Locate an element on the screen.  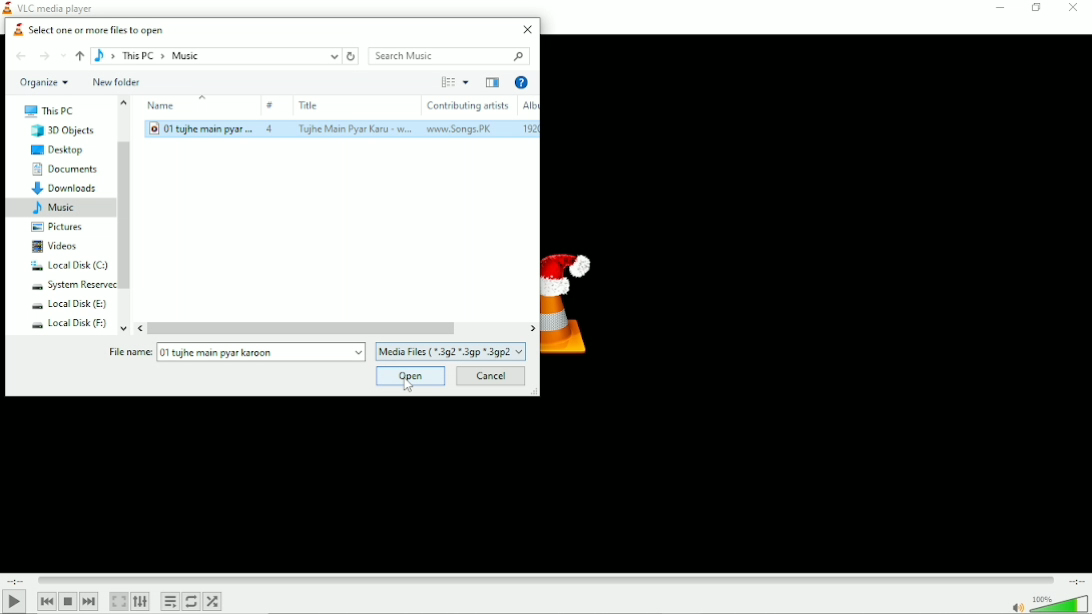
Forward is located at coordinates (43, 56).